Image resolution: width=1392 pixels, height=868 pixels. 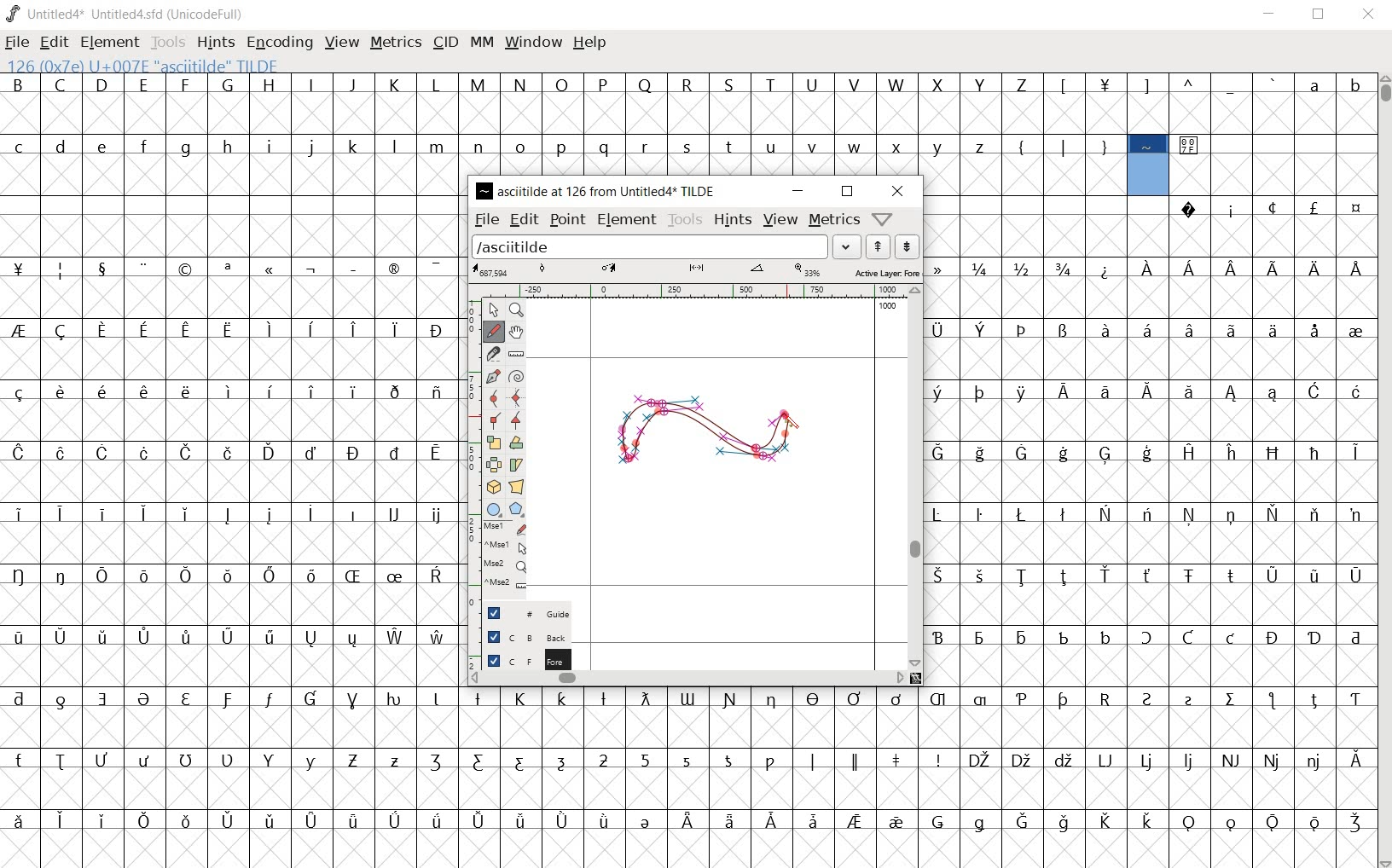 What do you see at coordinates (907, 246) in the screenshot?
I see `show the previous word on the list` at bounding box center [907, 246].